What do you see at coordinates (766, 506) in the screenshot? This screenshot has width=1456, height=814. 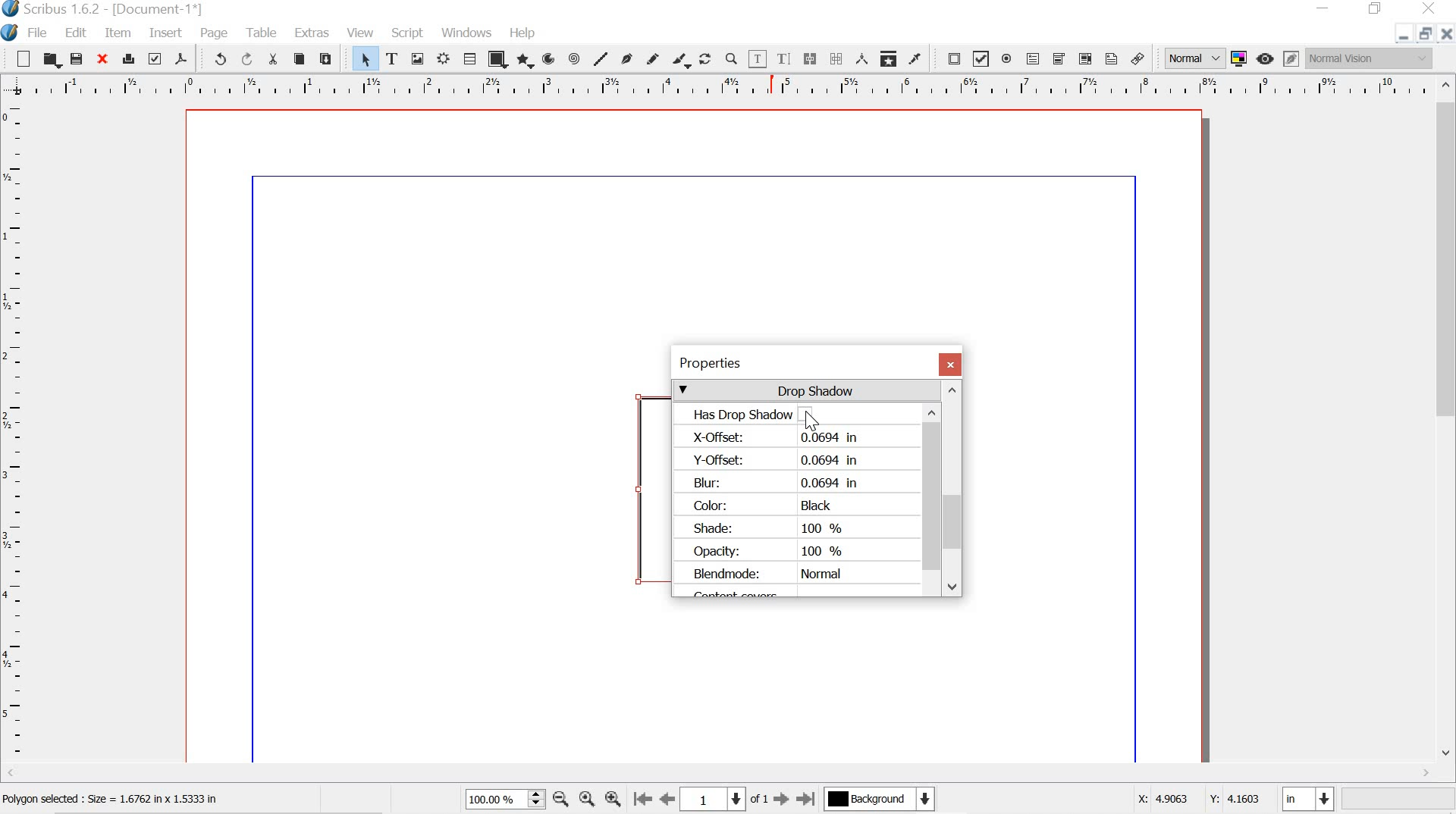 I see `Color: Black` at bounding box center [766, 506].